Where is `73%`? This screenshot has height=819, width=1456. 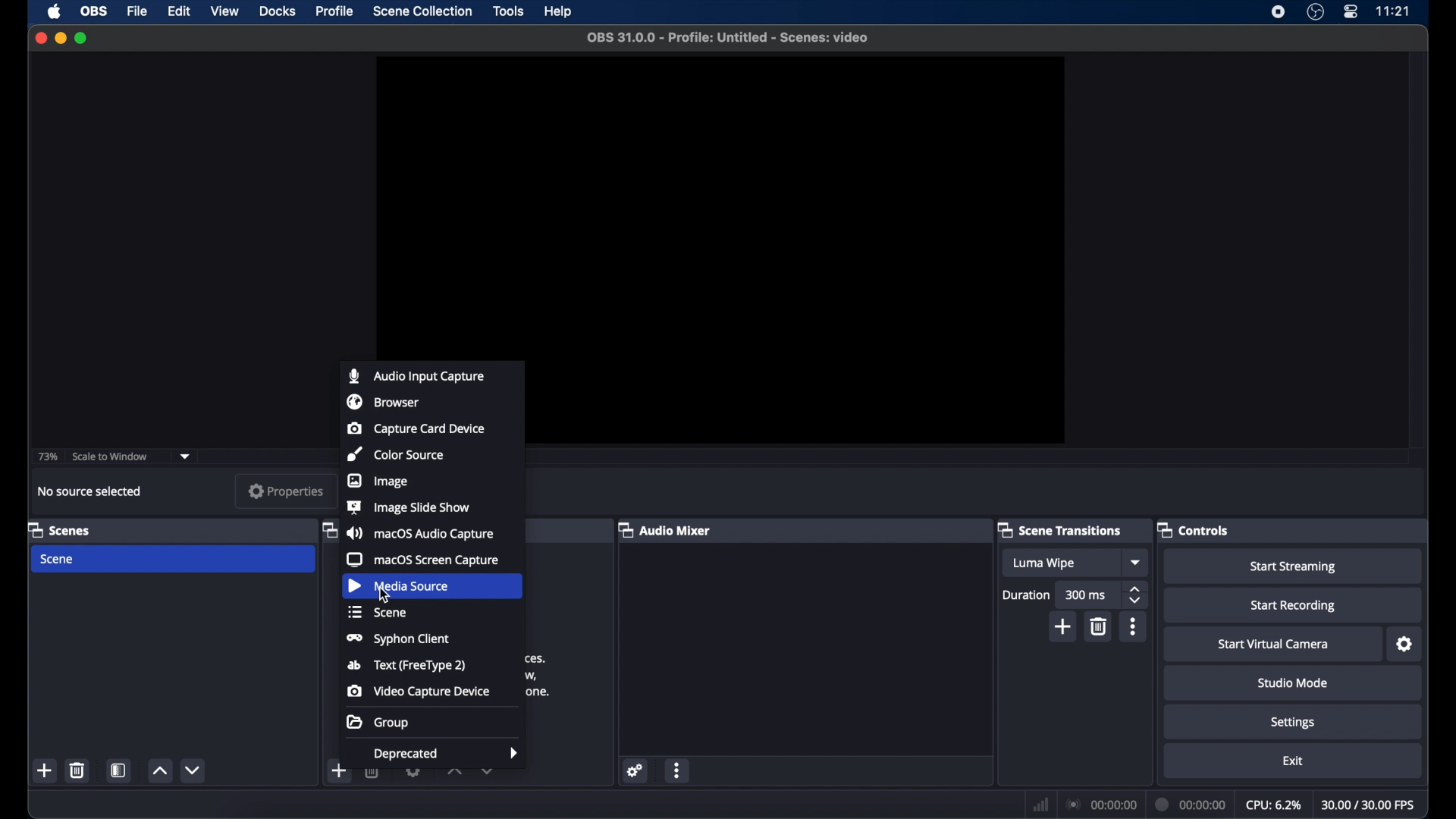 73% is located at coordinates (47, 457).